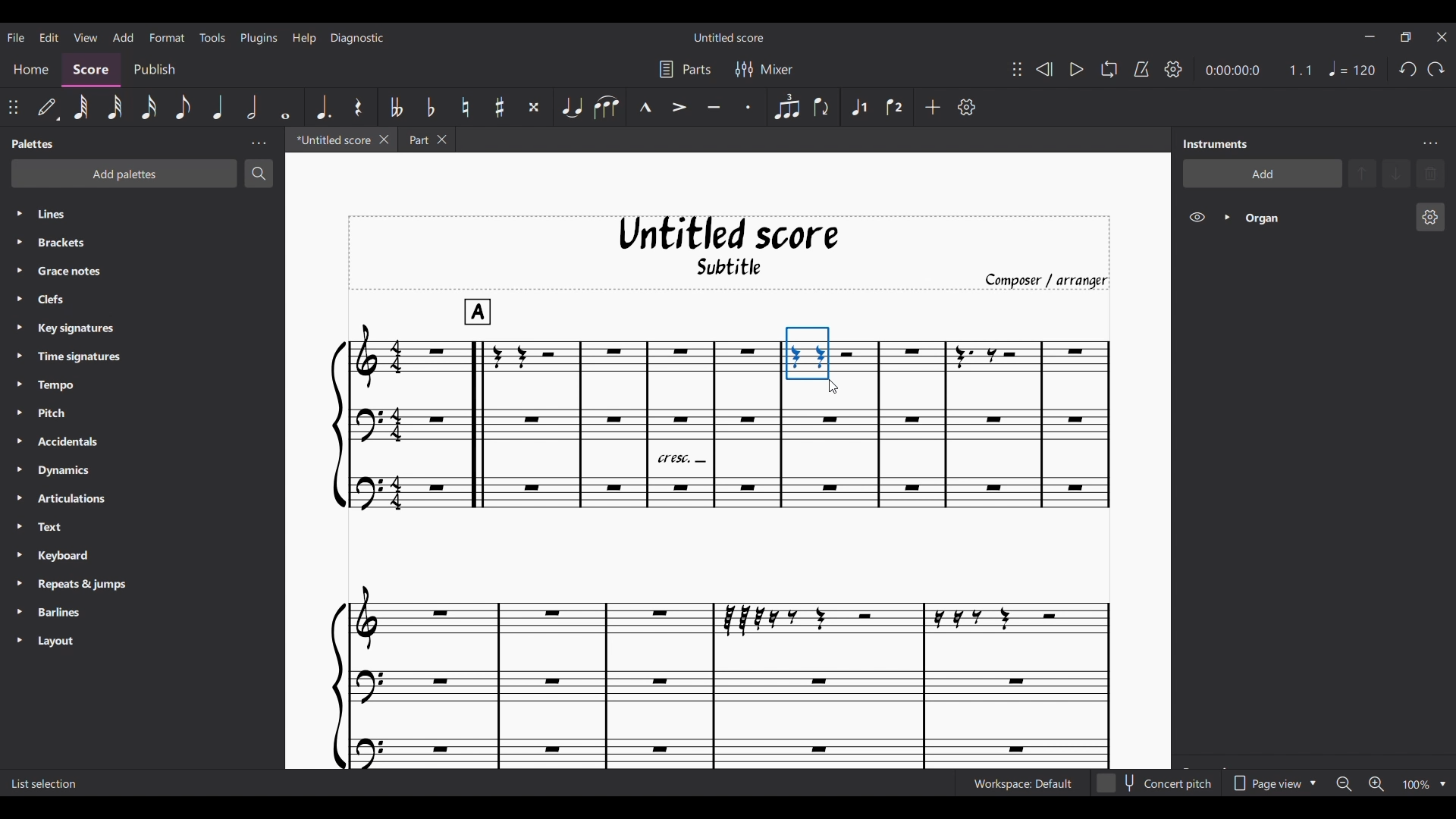  Describe the element at coordinates (933, 107) in the screenshot. I see `Add` at that location.